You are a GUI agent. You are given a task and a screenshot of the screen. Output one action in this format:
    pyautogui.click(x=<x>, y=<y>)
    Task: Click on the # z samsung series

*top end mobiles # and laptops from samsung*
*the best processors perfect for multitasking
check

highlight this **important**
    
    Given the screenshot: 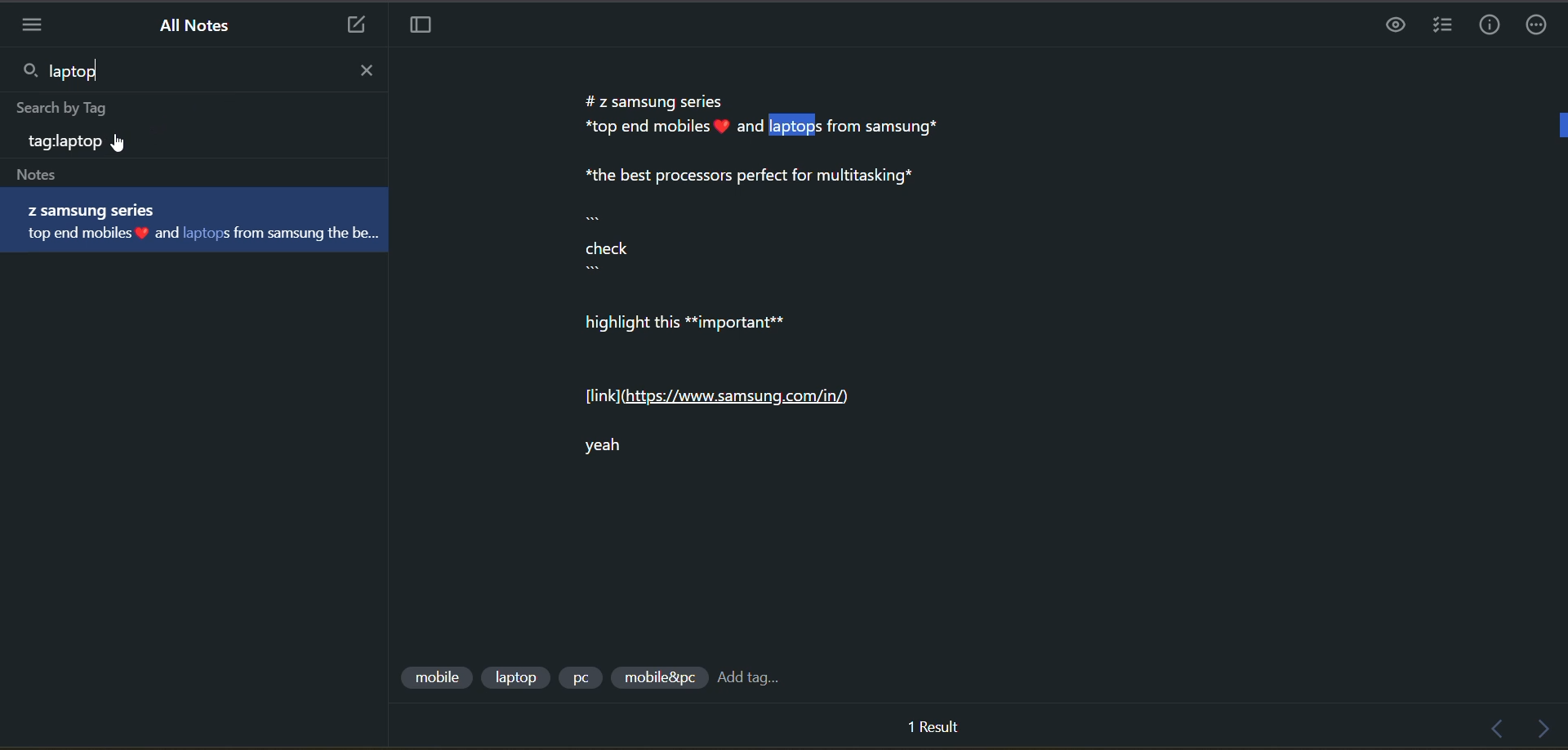 What is the action you would take?
    pyautogui.click(x=782, y=213)
    